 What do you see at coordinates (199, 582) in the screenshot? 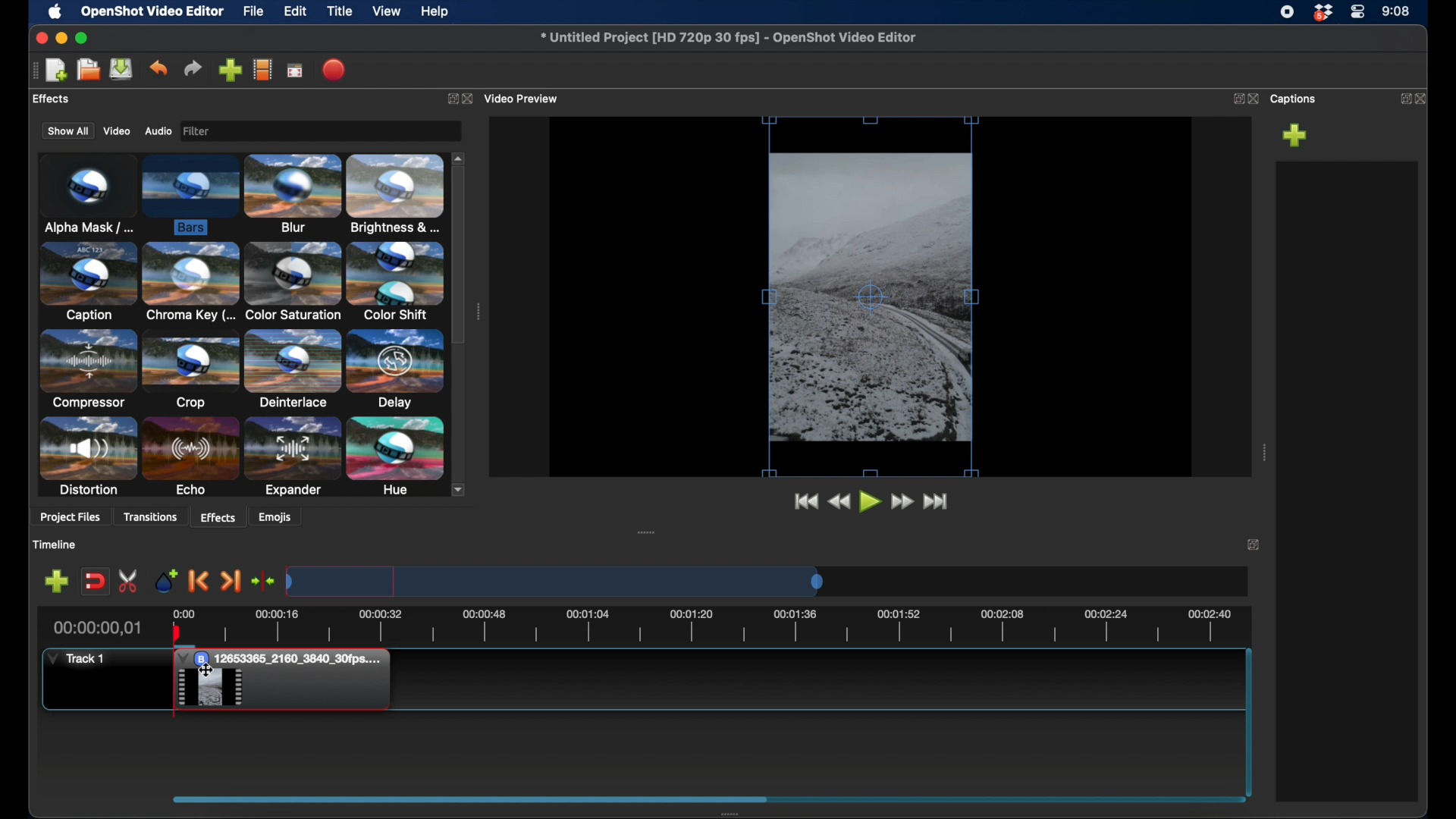
I see `previous marker` at bounding box center [199, 582].